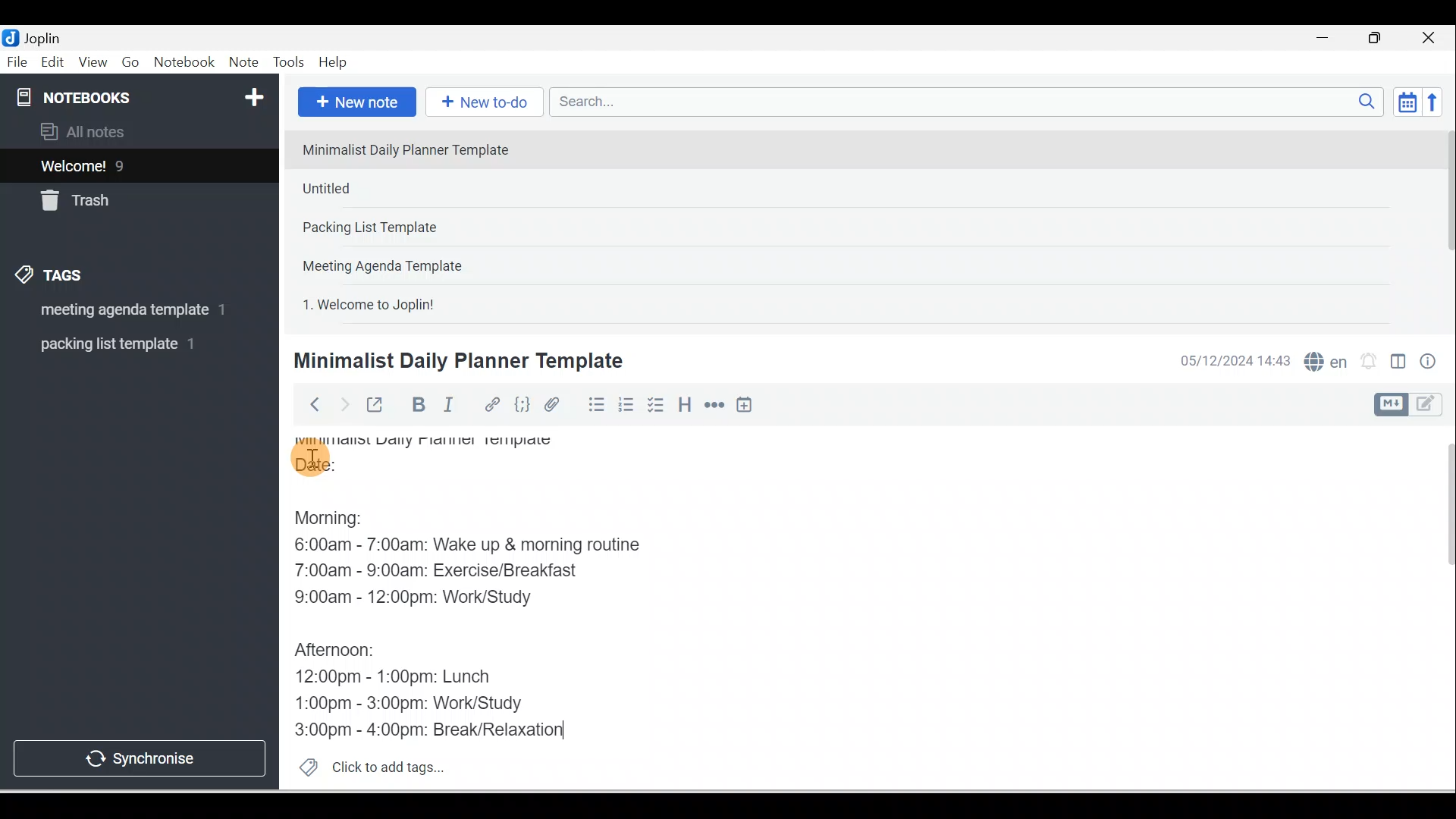  What do you see at coordinates (522, 406) in the screenshot?
I see `Code` at bounding box center [522, 406].